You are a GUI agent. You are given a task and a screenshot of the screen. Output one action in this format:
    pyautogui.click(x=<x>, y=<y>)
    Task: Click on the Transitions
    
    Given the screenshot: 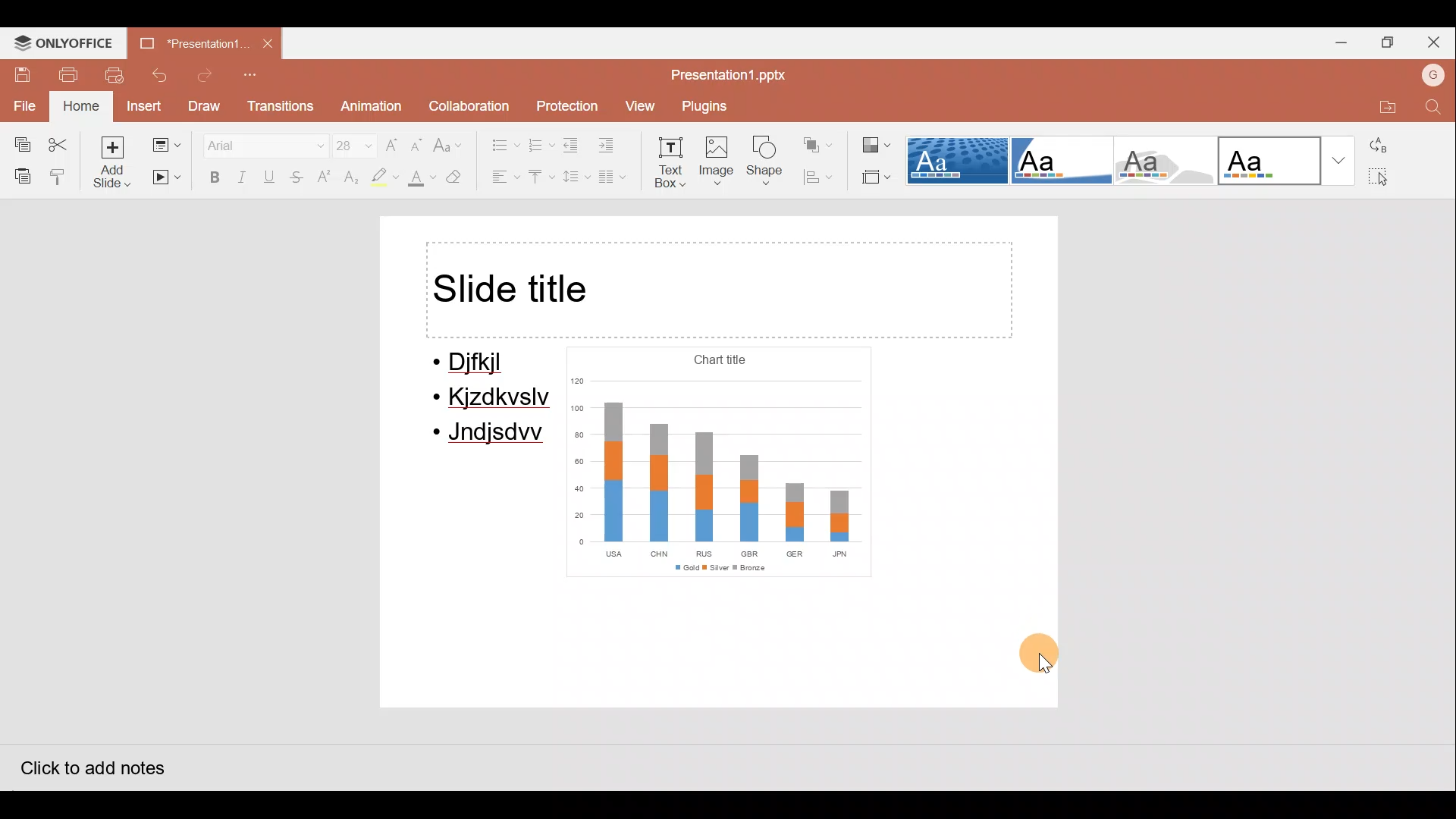 What is the action you would take?
    pyautogui.click(x=281, y=106)
    